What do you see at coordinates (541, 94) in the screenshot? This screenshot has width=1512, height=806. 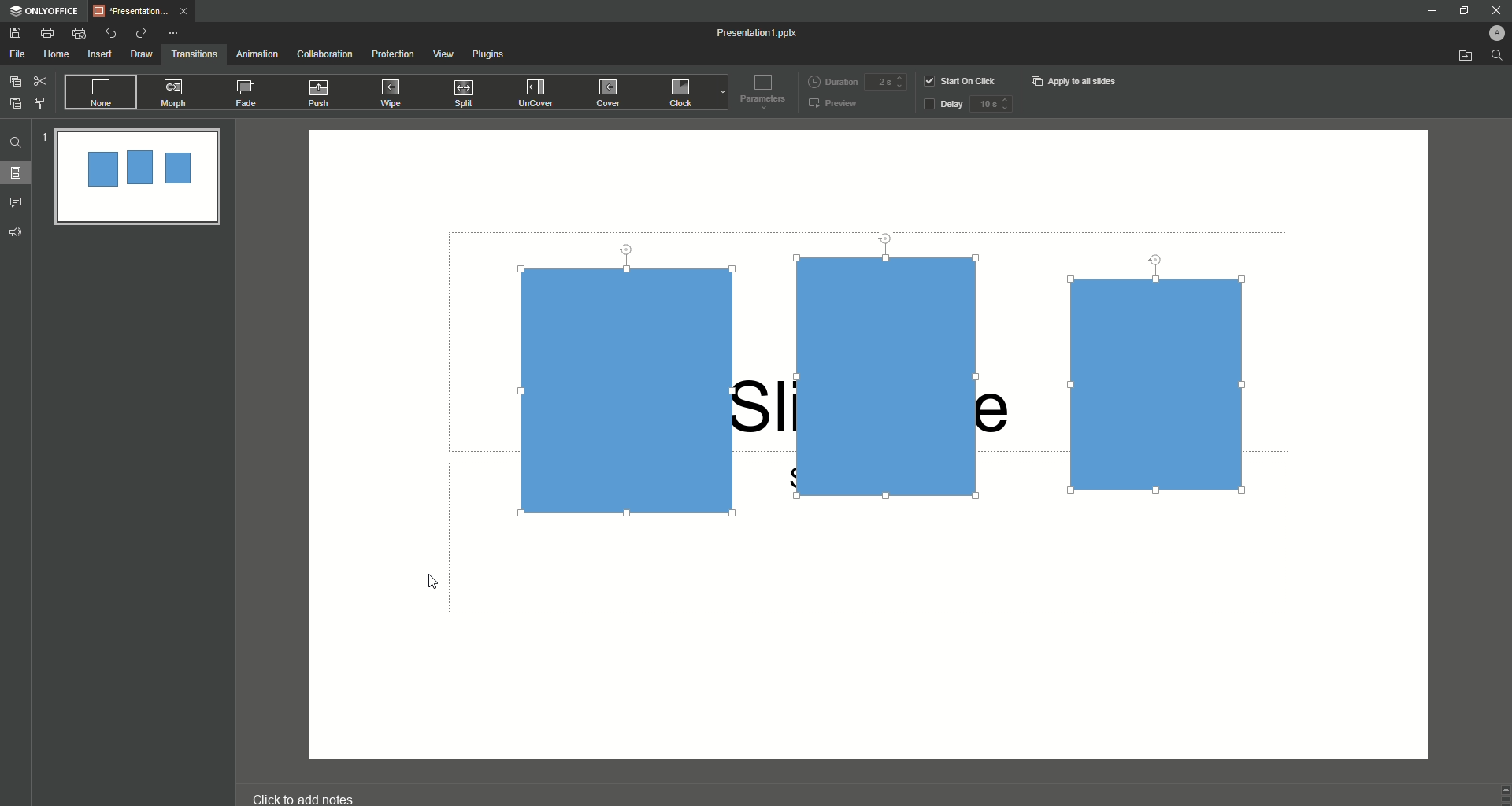 I see `UnCover` at bounding box center [541, 94].